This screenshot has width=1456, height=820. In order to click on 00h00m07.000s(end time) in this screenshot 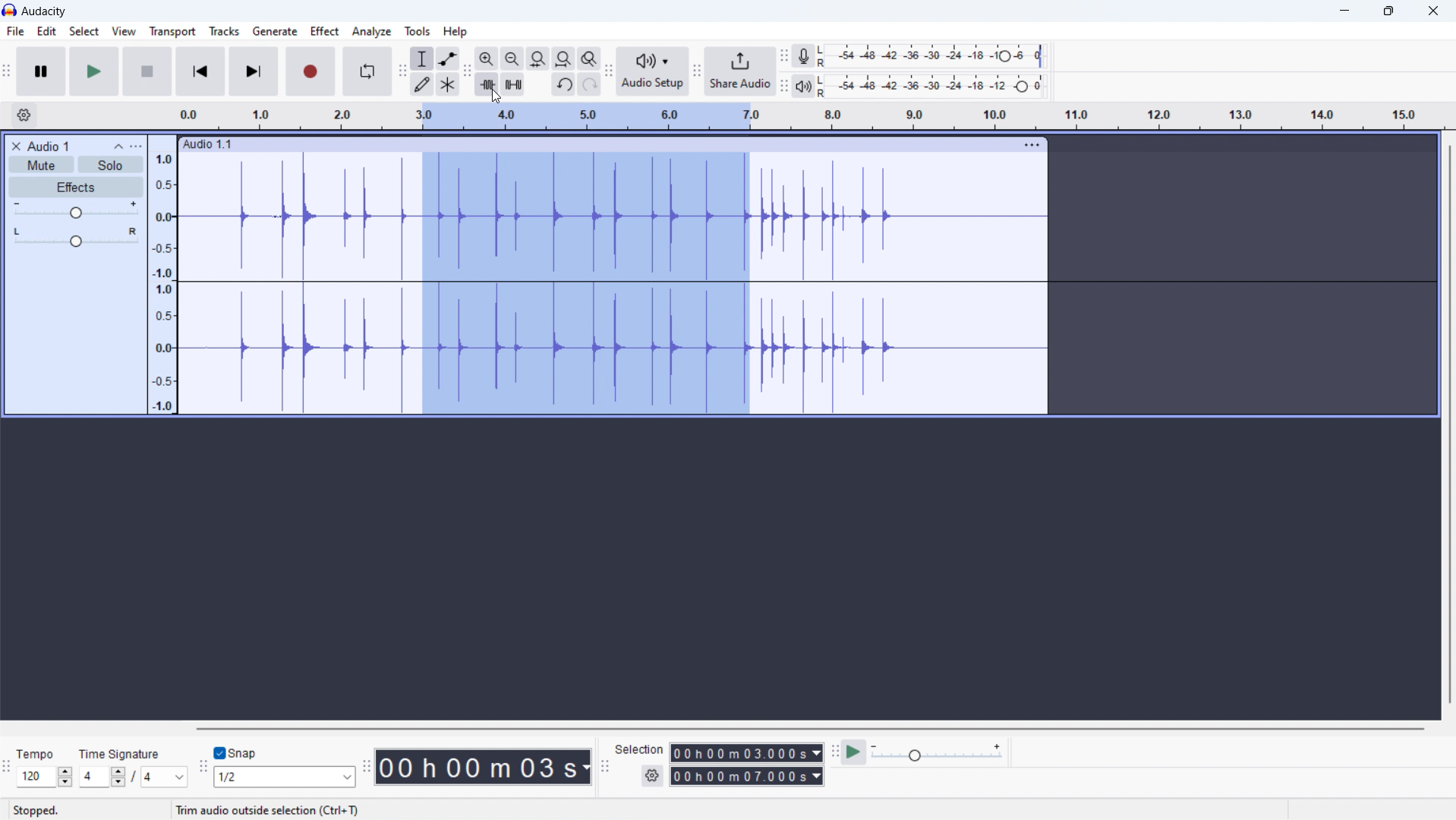, I will do `click(746, 776)`.